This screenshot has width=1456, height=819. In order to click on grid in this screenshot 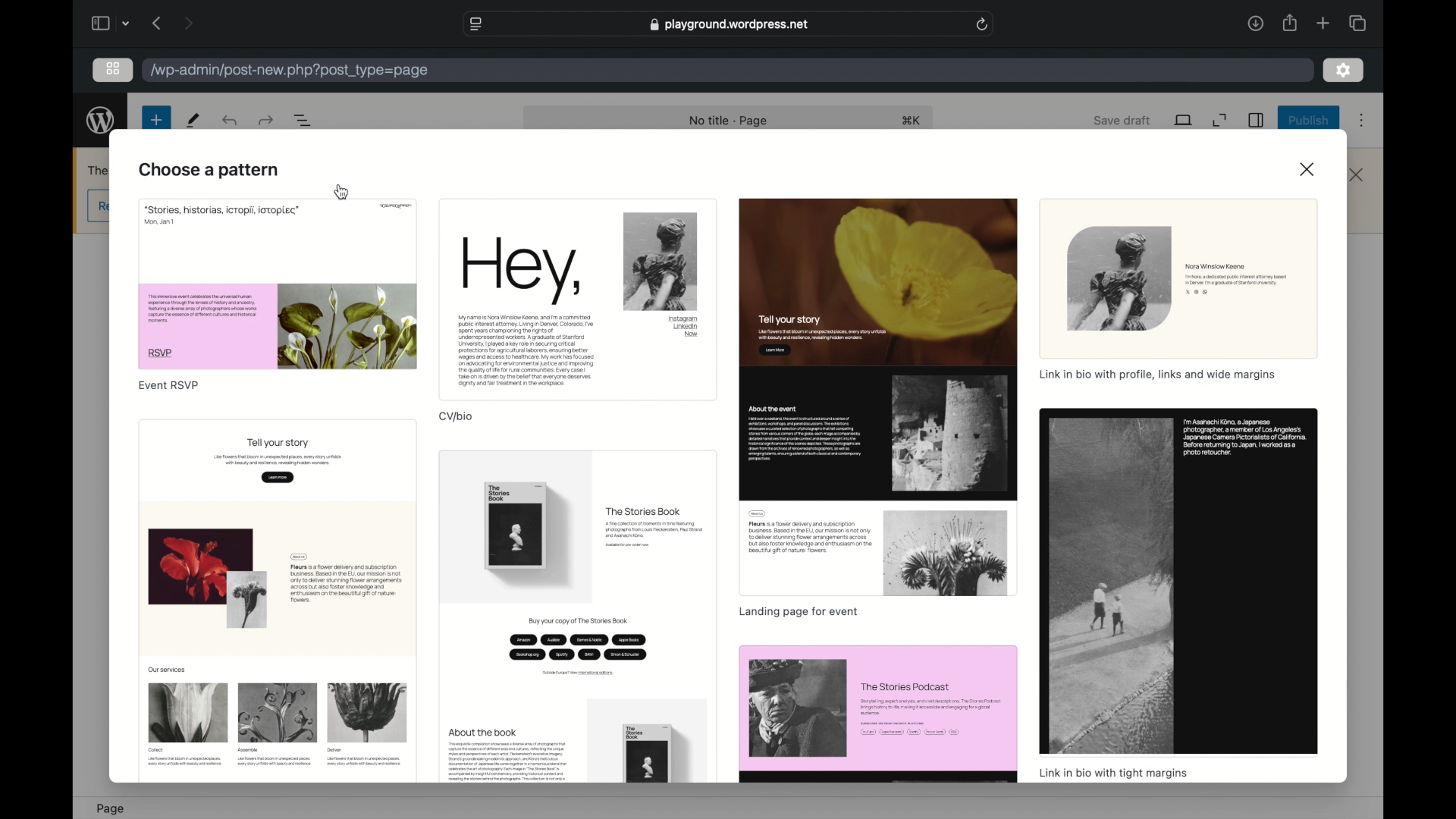, I will do `click(115, 68)`.